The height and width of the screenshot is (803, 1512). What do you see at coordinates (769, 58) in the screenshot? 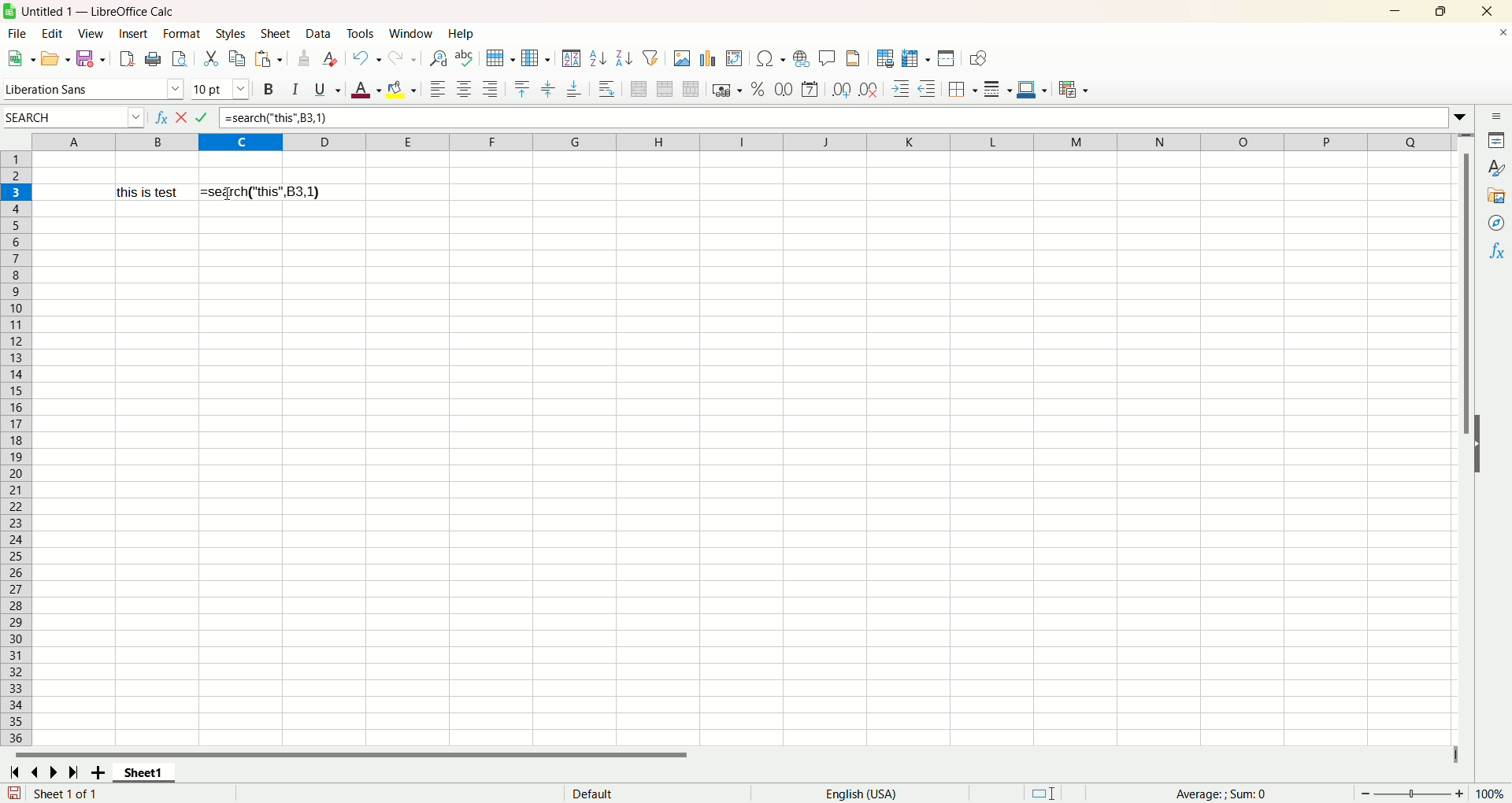
I see `insert symbol` at bounding box center [769, 58].